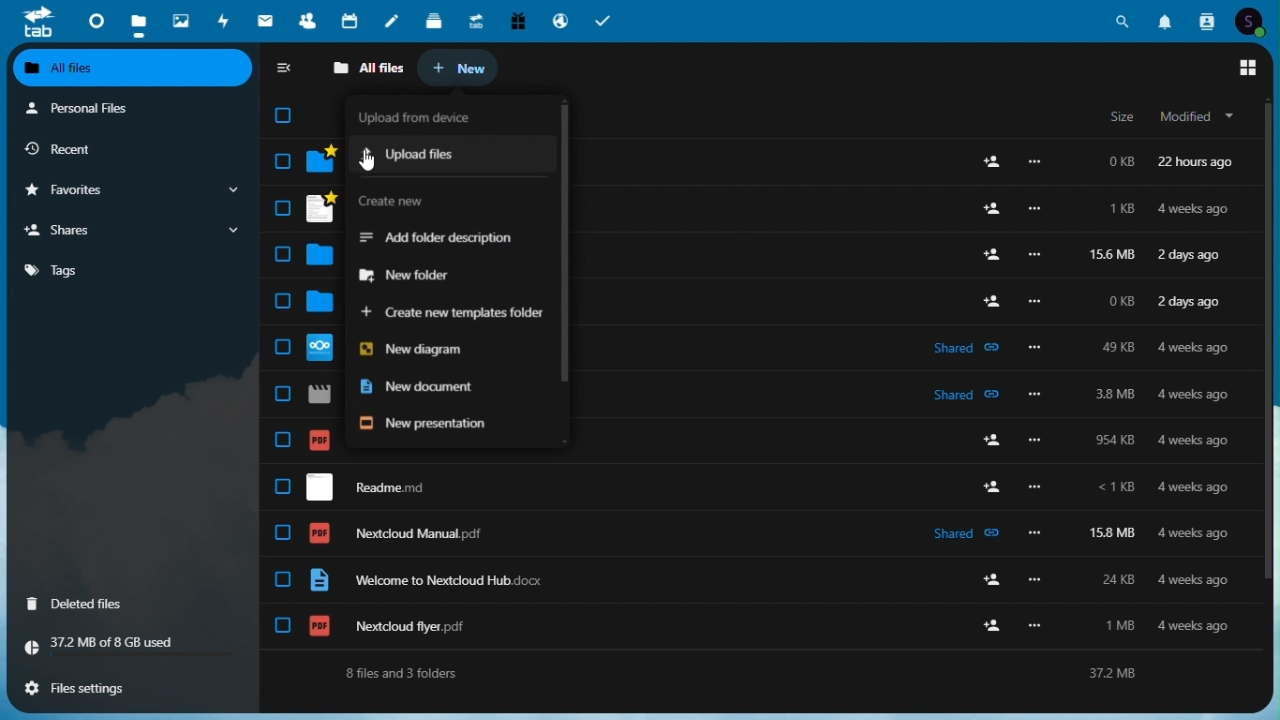 The image size is (1280, 720). I want to click on 22 hours ago, so click(1203, 162).